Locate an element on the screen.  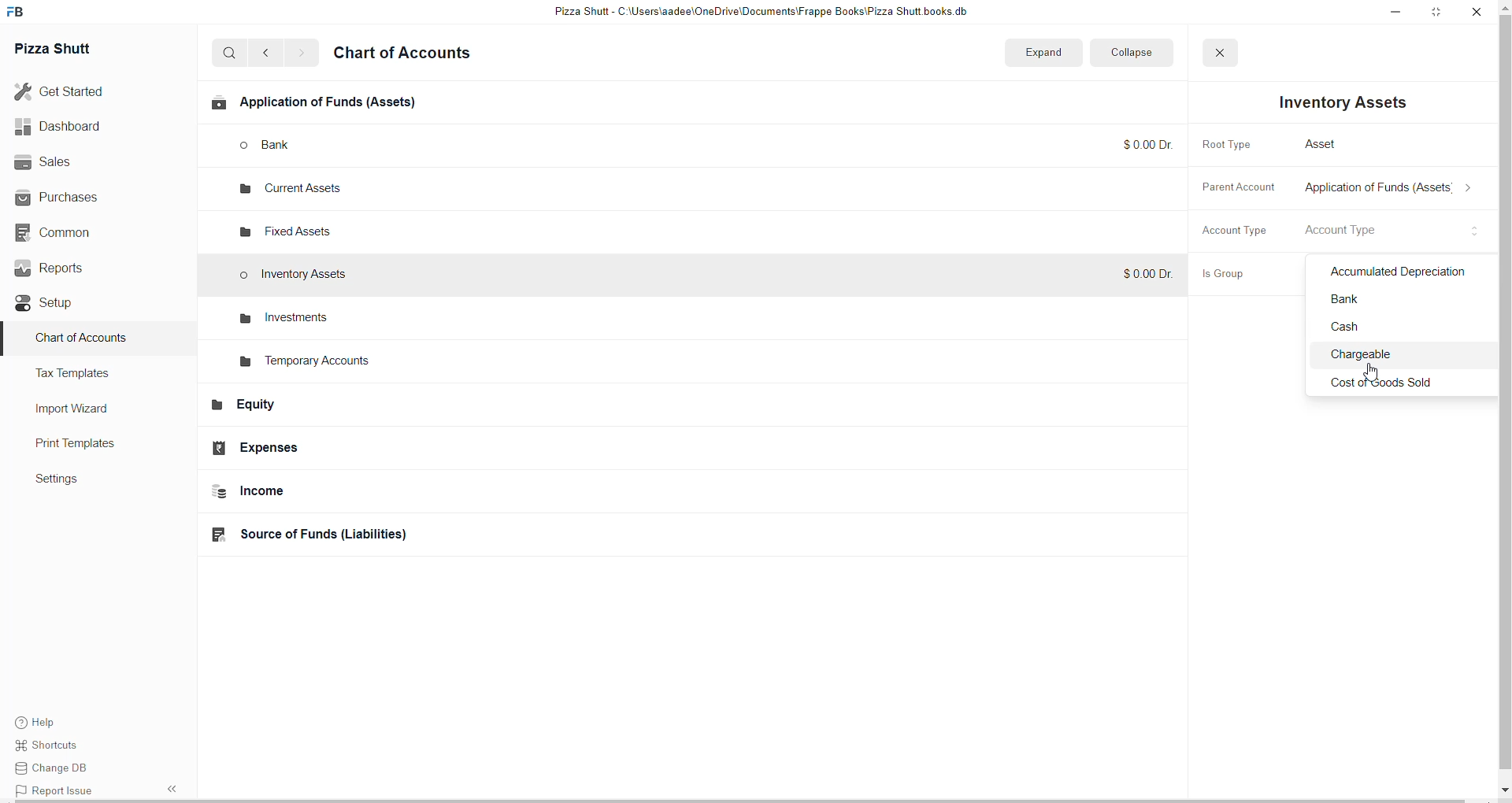
Equity  is located at coordinates (324, 409).